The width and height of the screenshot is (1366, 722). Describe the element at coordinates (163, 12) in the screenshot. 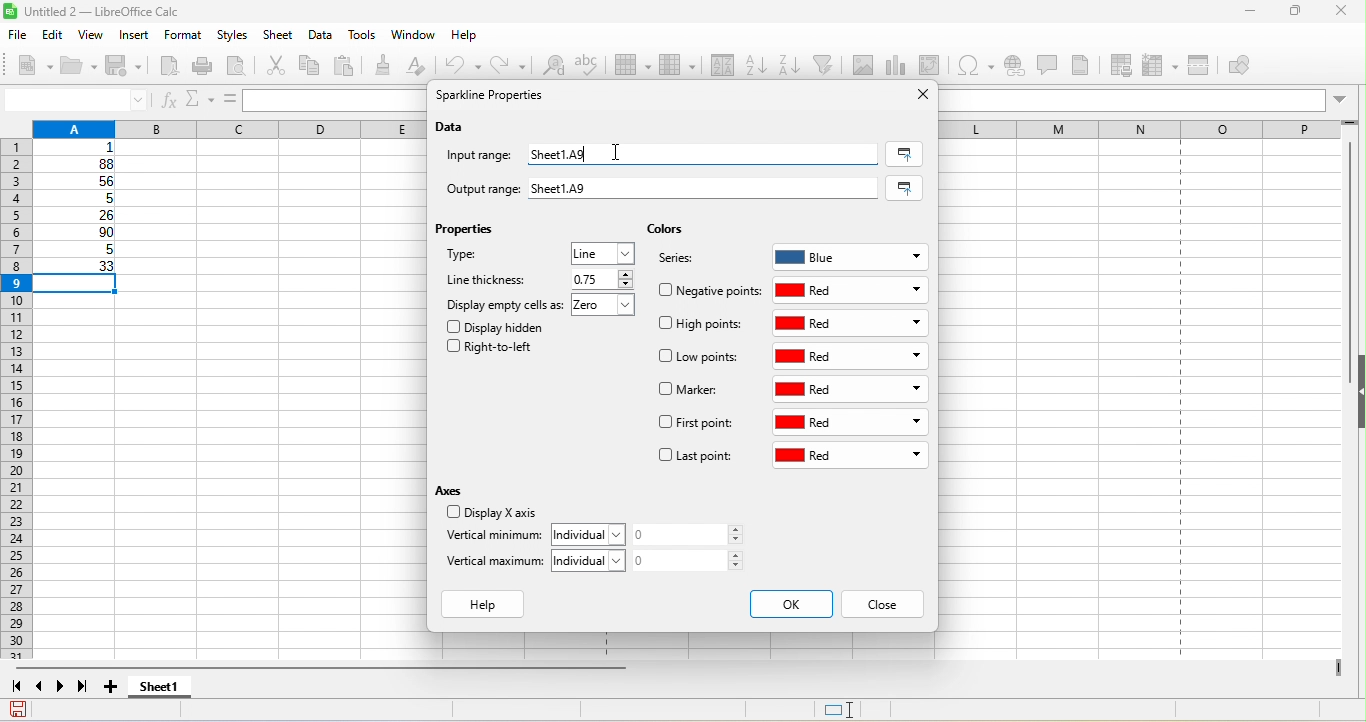

I see `untitled 2-libre office calc` at that location.